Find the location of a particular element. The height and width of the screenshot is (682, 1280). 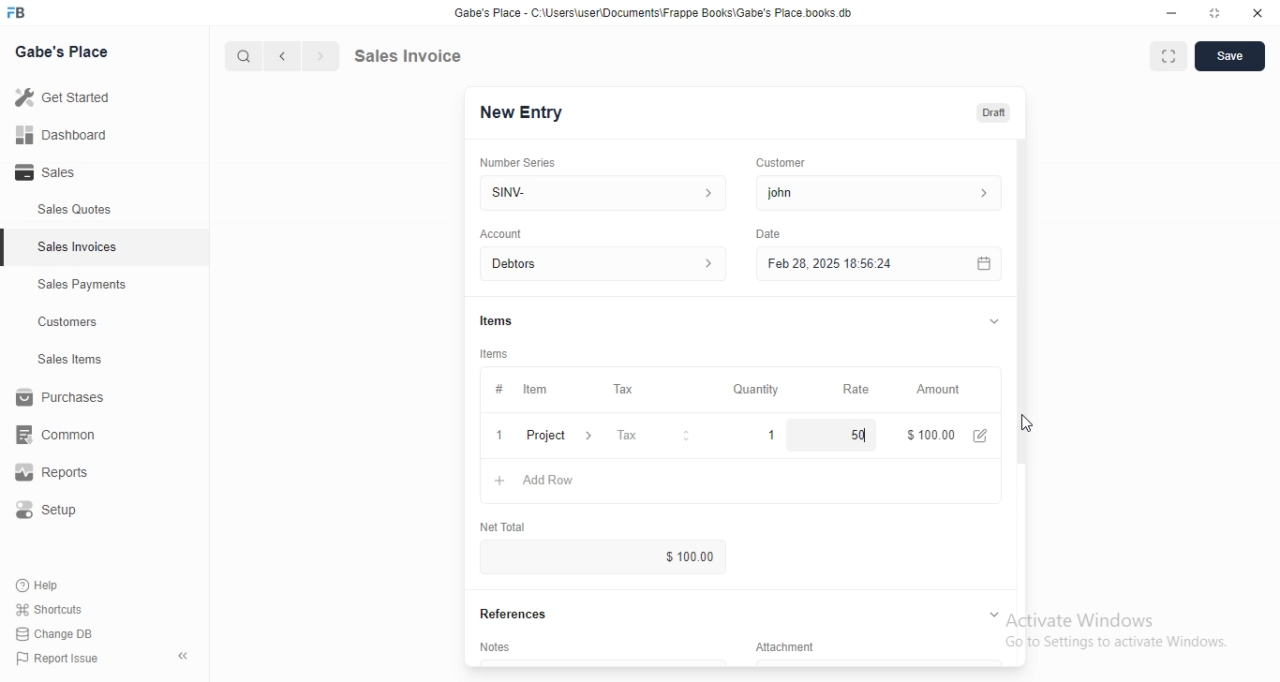

Tax & is located at coordinates (652, 436).